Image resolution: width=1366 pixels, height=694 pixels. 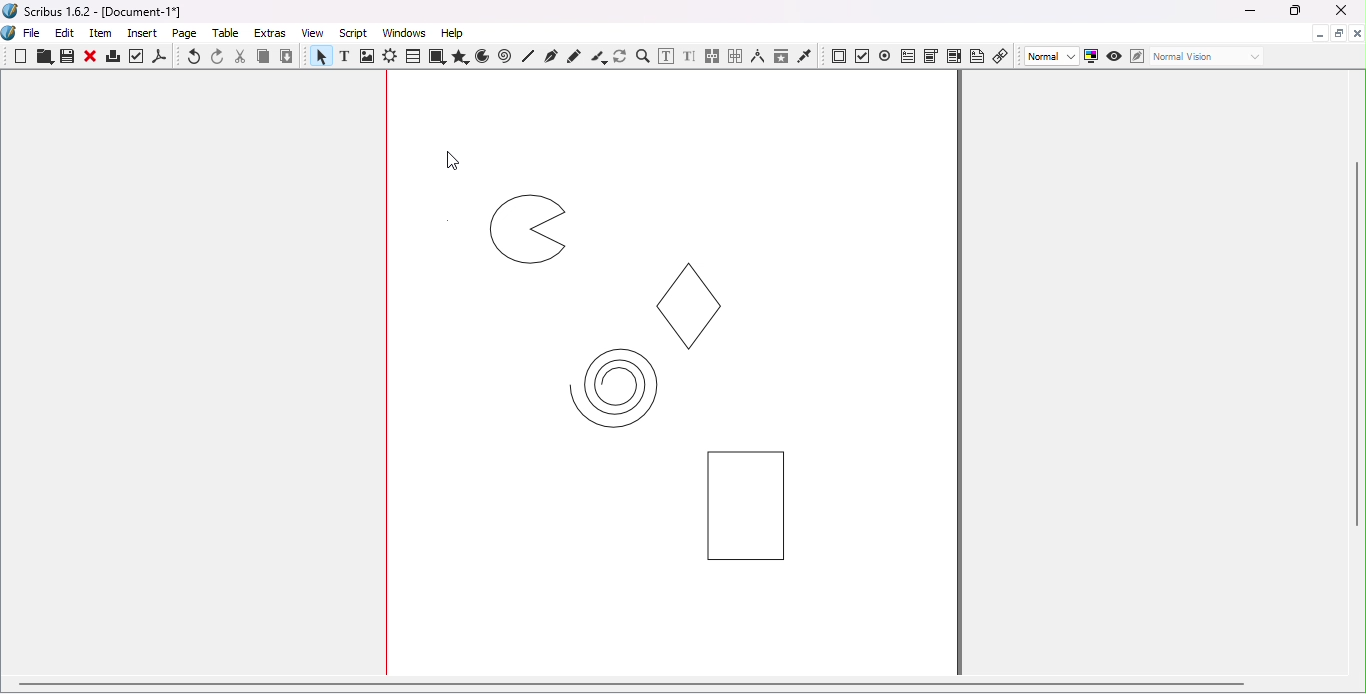 I want to click on Horizontal scroll bar, so click(x=674, y=687).